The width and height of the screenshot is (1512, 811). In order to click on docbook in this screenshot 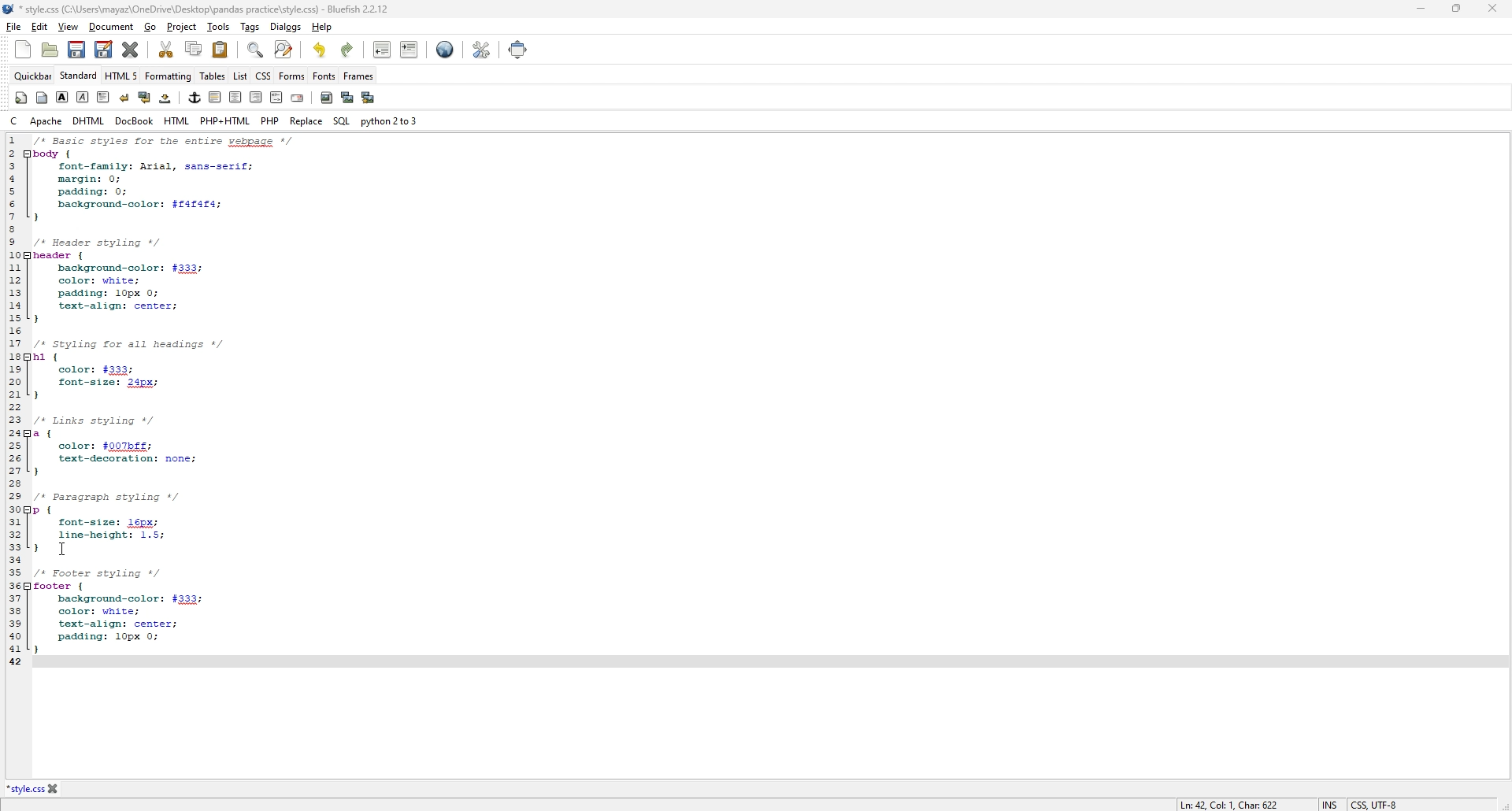, I will do `click(136, 120)`.